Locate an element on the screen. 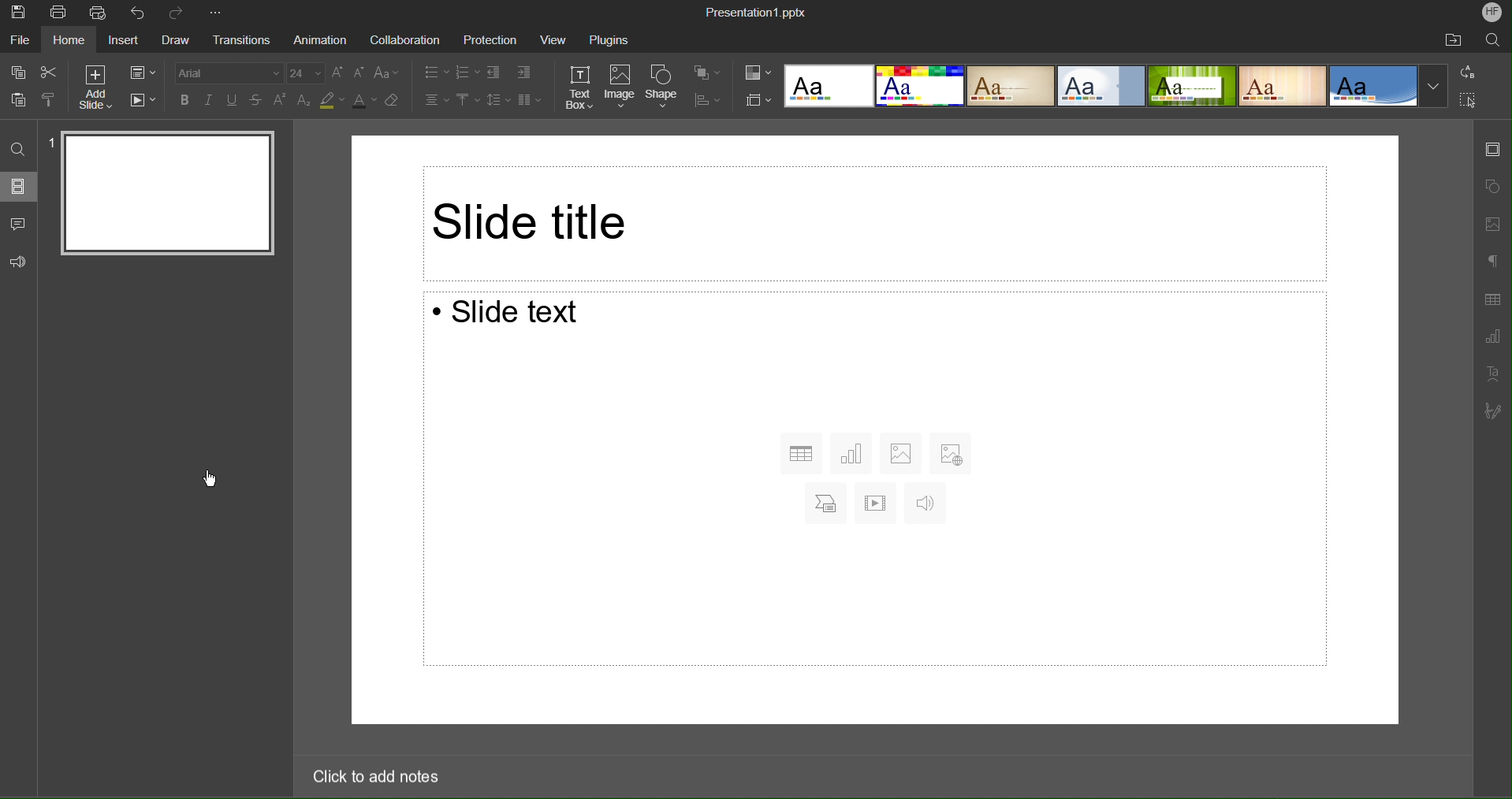  Table Settings is located at coordinates (1492, 299).